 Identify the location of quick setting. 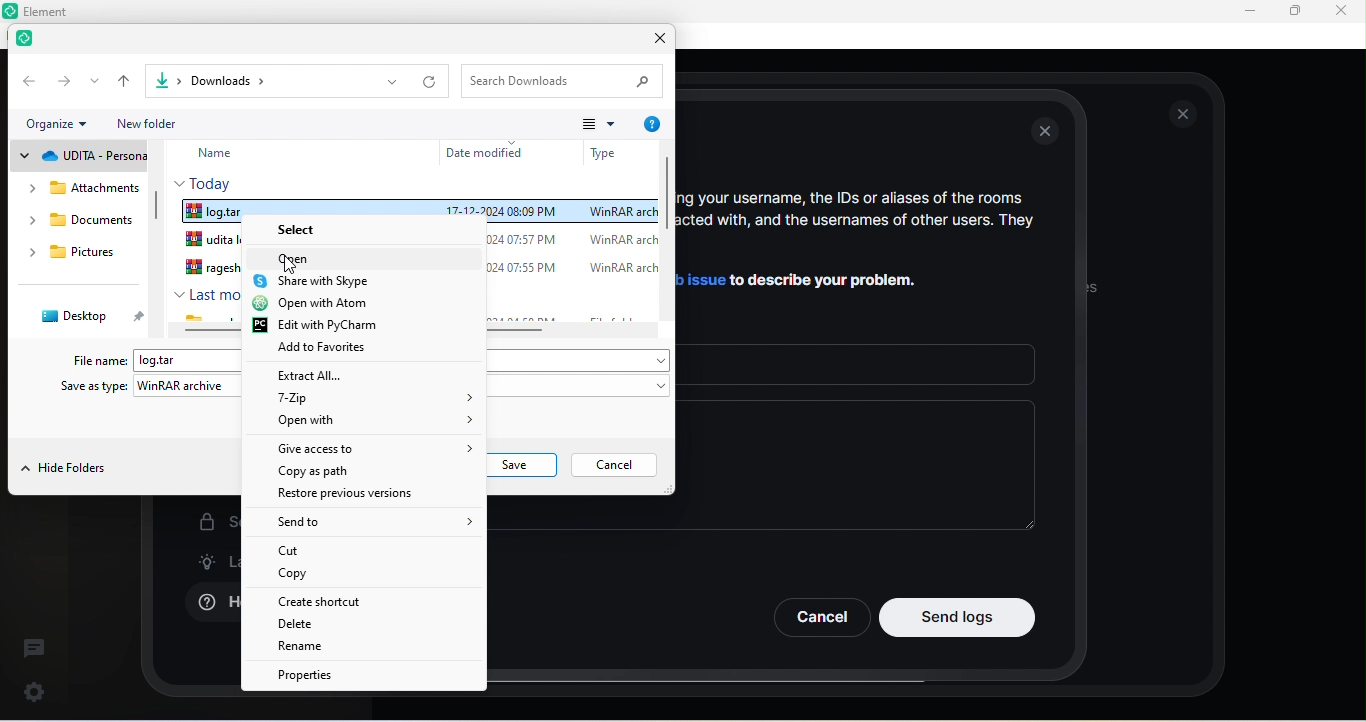
(35, 688).